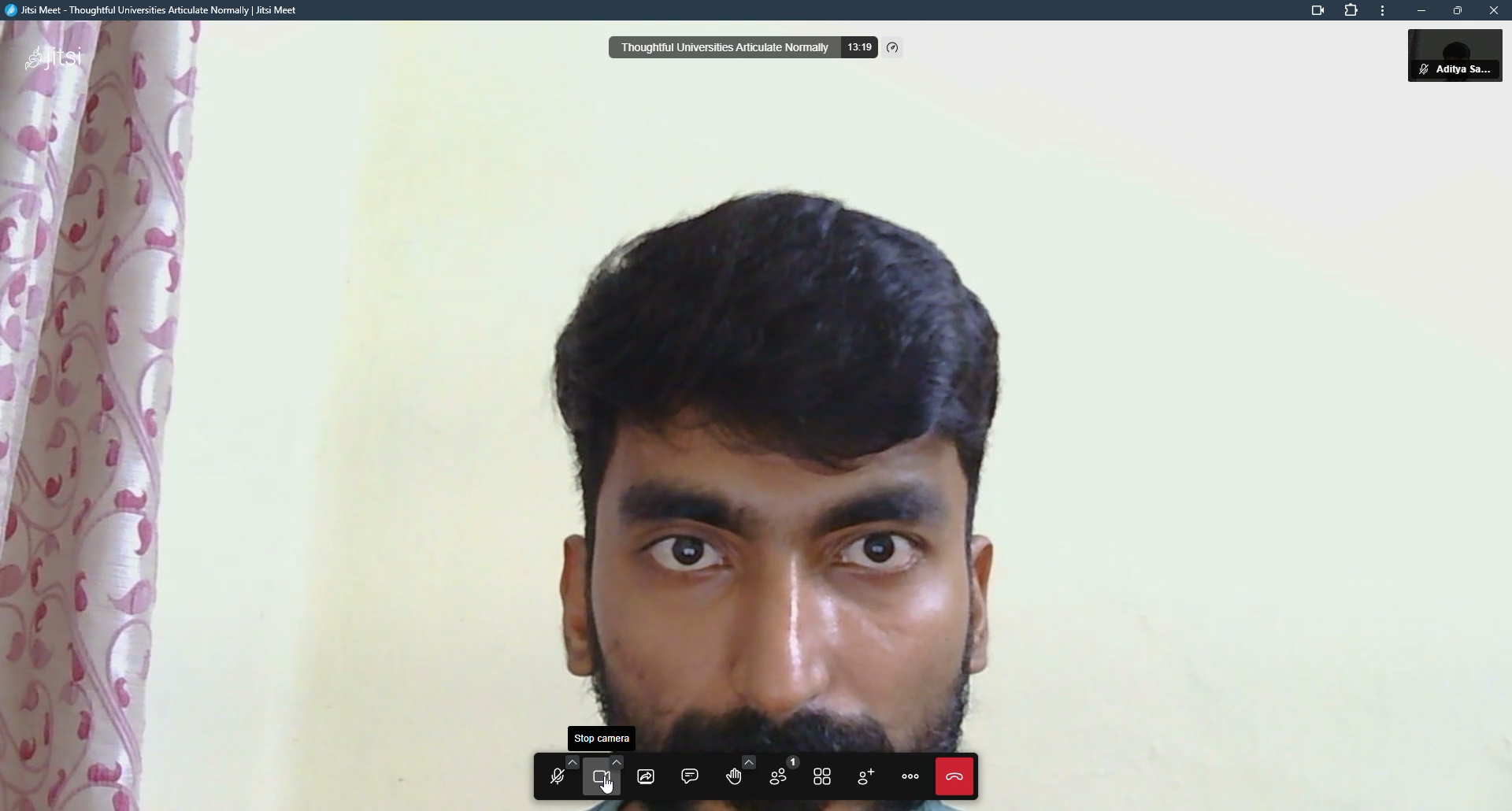 The height and width of the screenshot is (811, 1512). Describe the element at coordinates (691, 774) in the screenshot. I see `open chat` at that location.